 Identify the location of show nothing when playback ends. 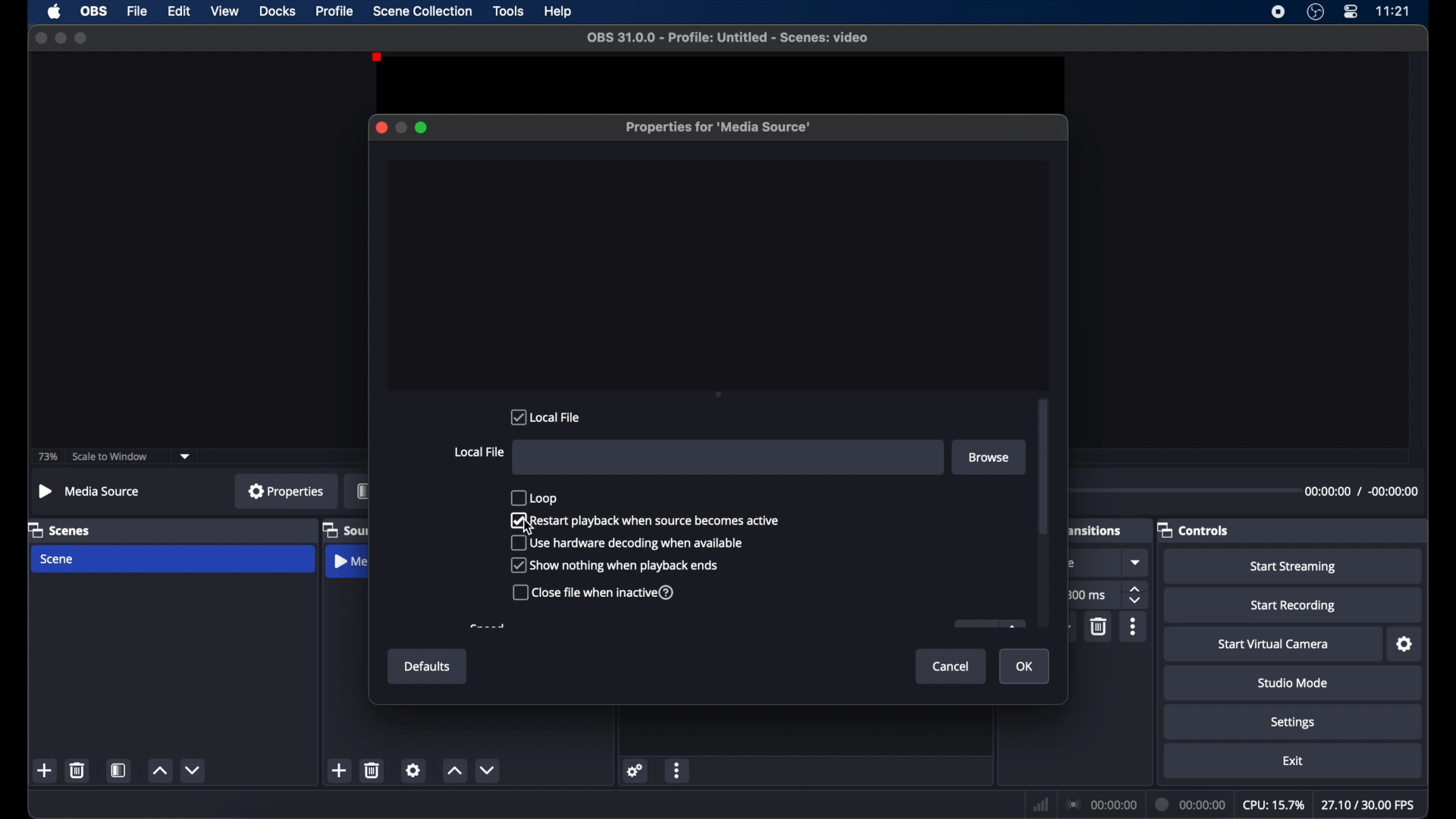
(614, 566).